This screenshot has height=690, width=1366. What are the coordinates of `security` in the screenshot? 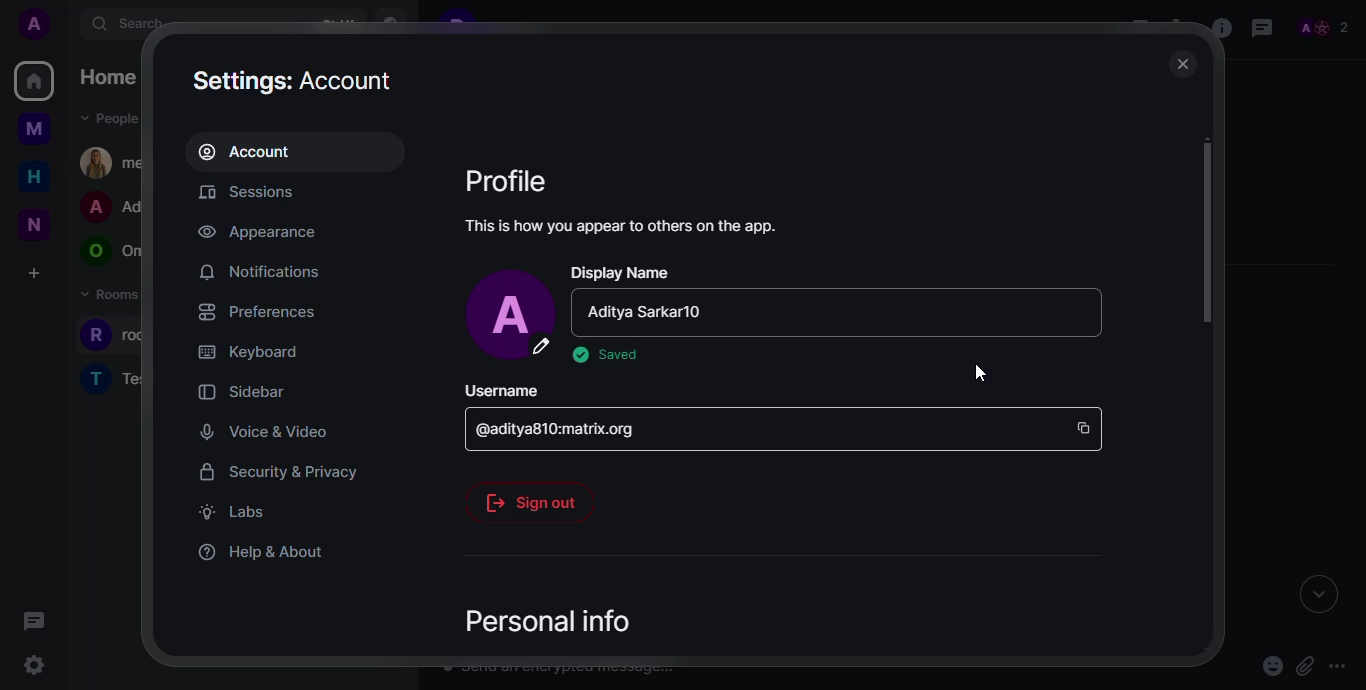 It's located at (278, 471).